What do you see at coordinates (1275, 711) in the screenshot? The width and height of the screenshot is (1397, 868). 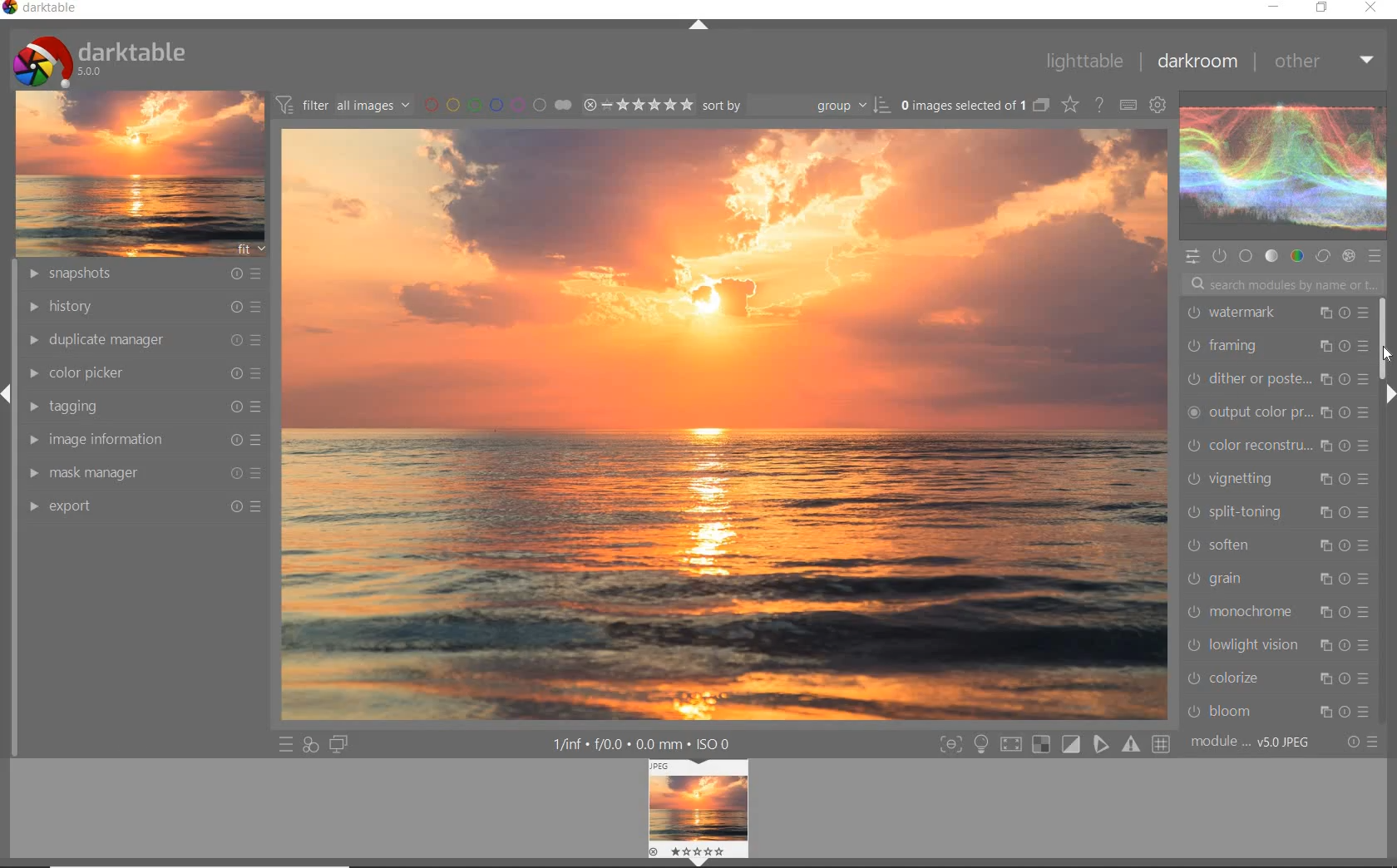 I see `BLOOM` at bounding box center [1275, 711].